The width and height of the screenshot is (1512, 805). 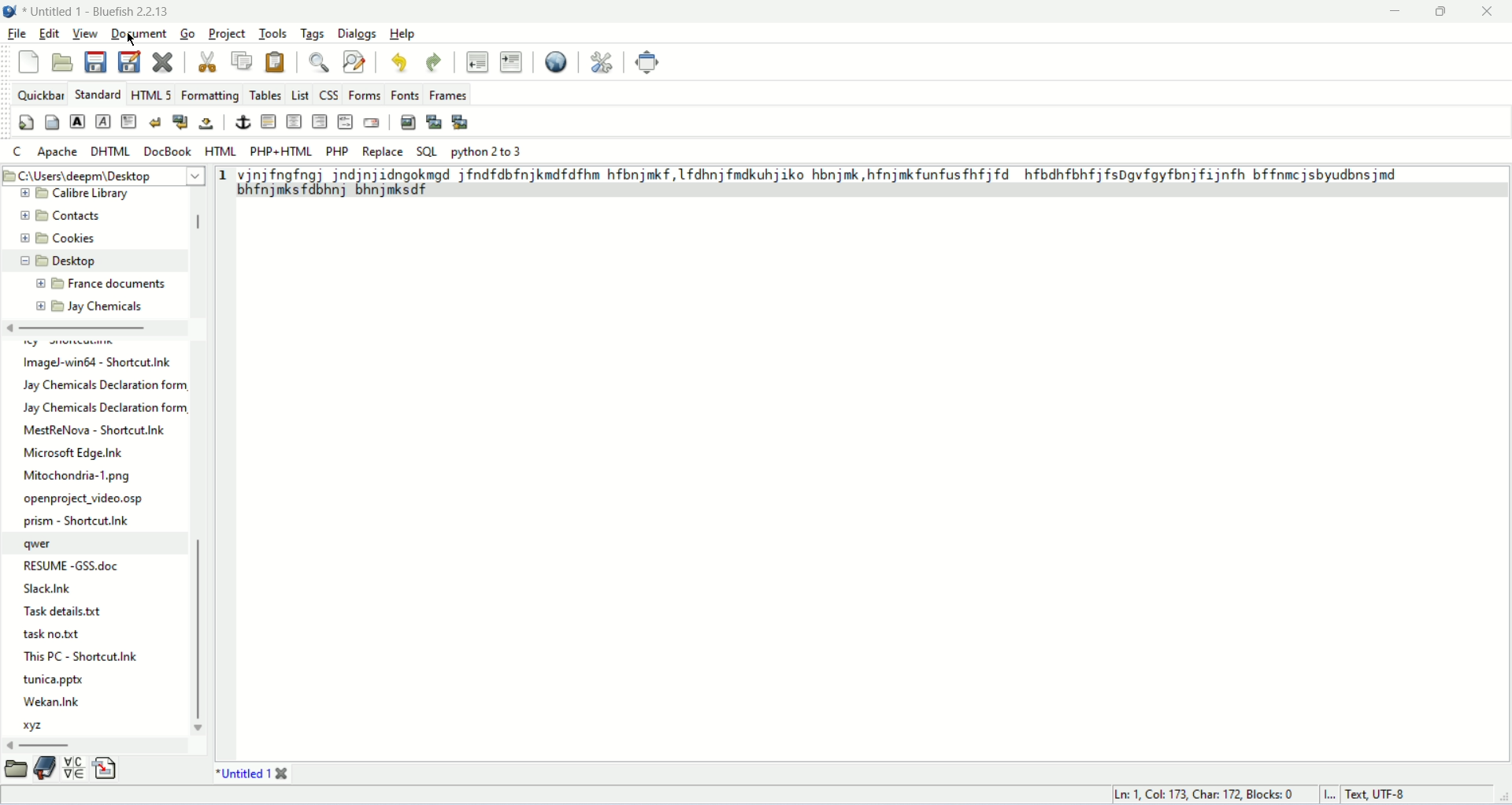 I want to click on standard, so click(x=94, y=94).